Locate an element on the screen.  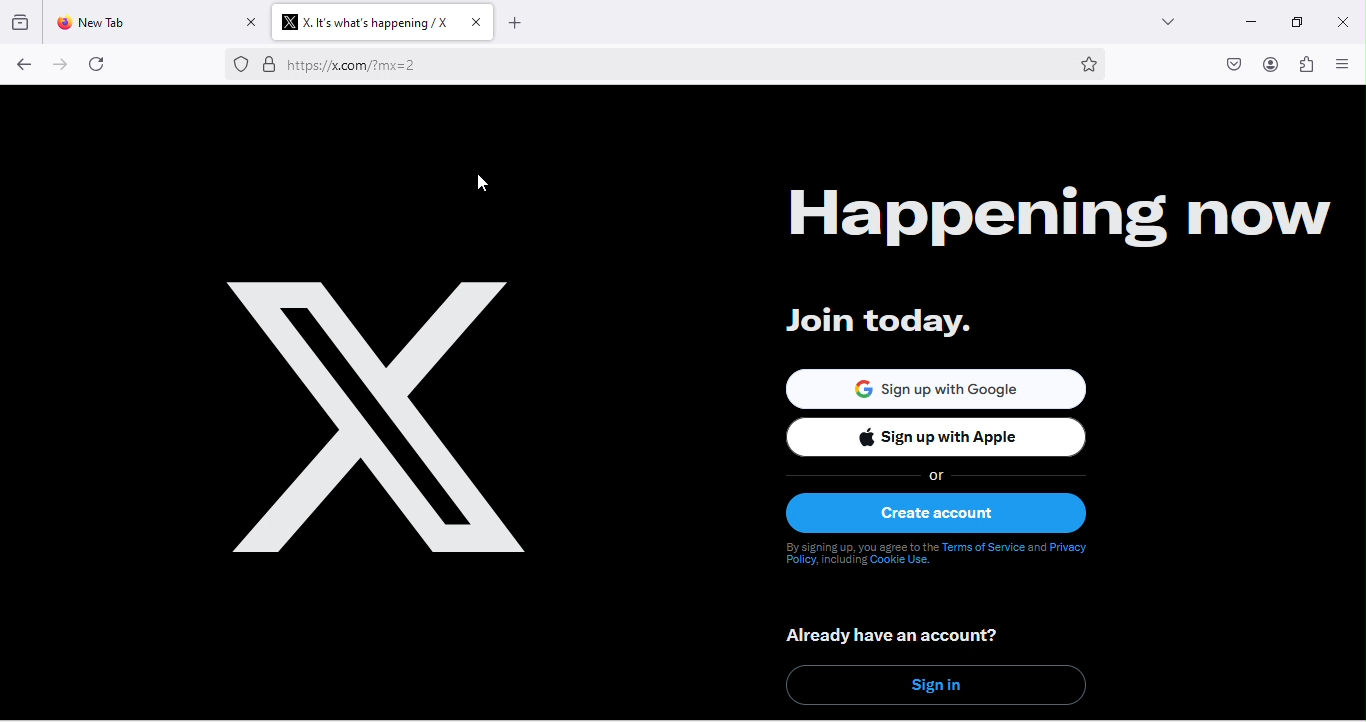
add new is located at coordinates (520, 23).